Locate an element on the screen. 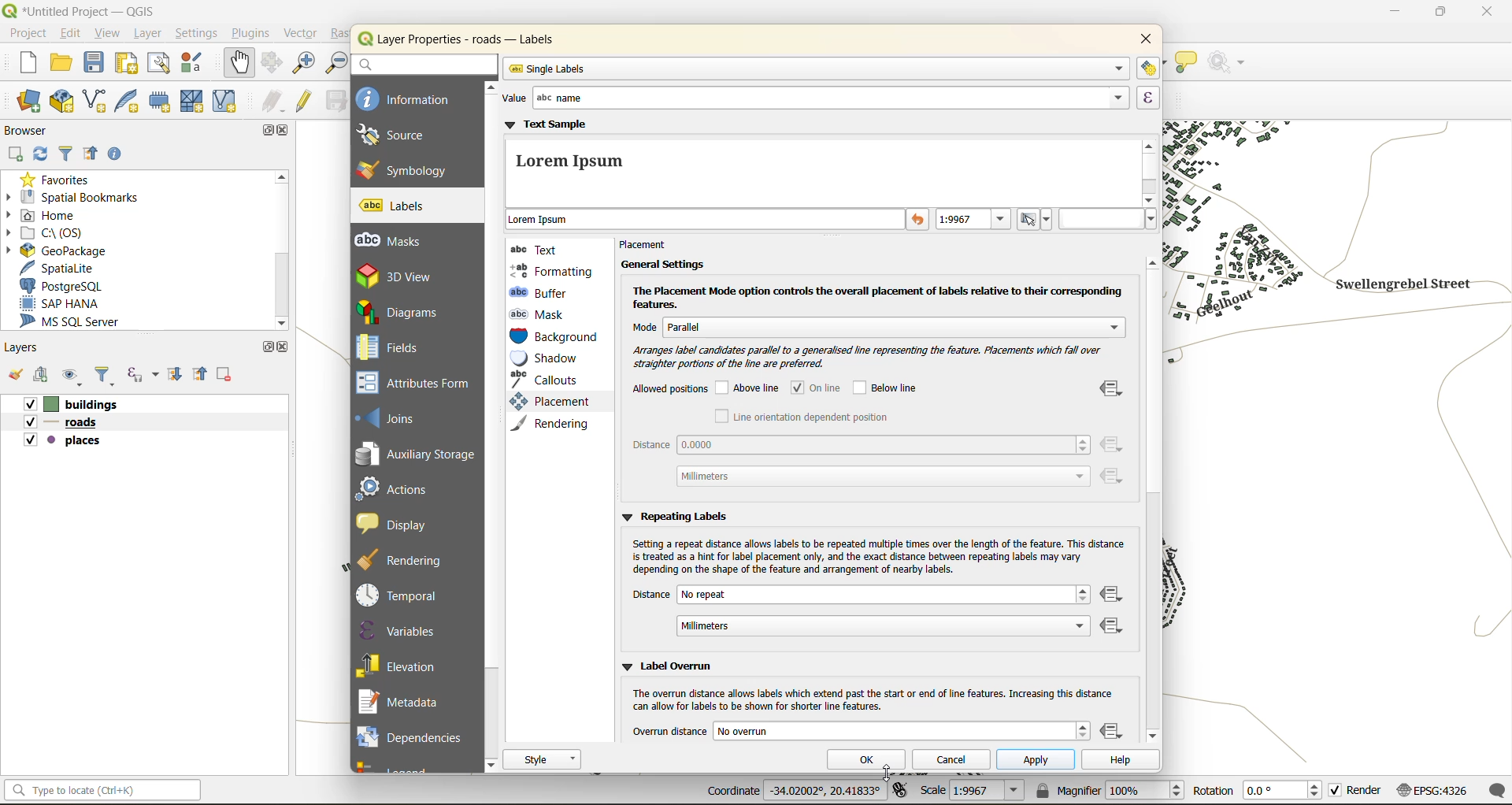  buildings layer is located at coordinates (76, 405).